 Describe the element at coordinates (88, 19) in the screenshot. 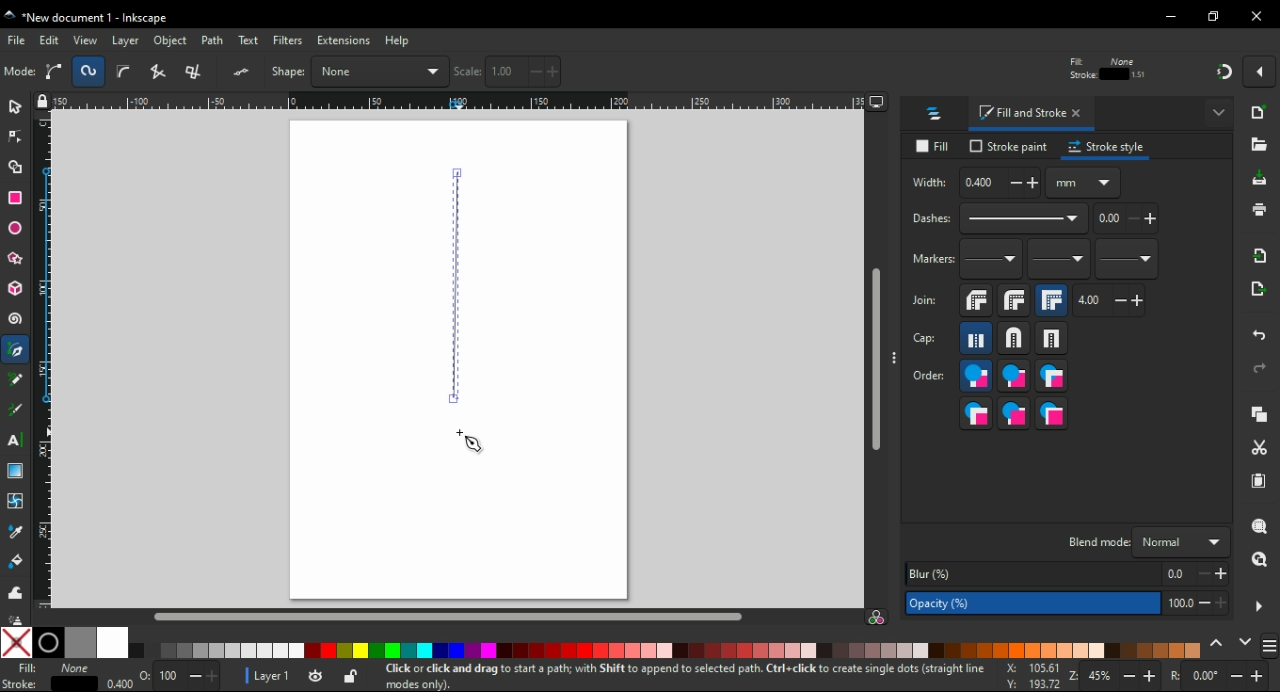

I see `"New document 1 - Inkscape` at that location.